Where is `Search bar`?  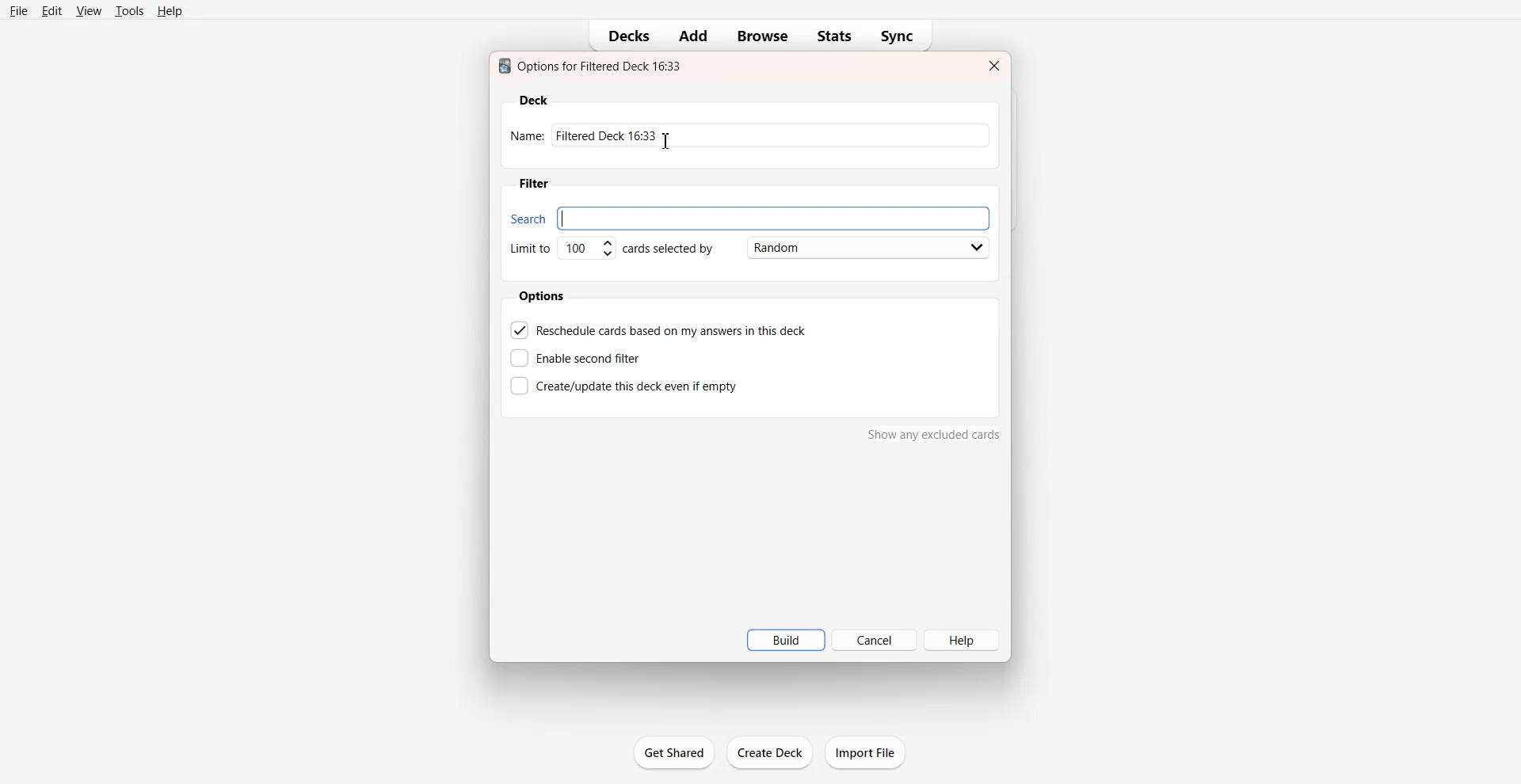
Search bar is located at coordinates (745, 216).